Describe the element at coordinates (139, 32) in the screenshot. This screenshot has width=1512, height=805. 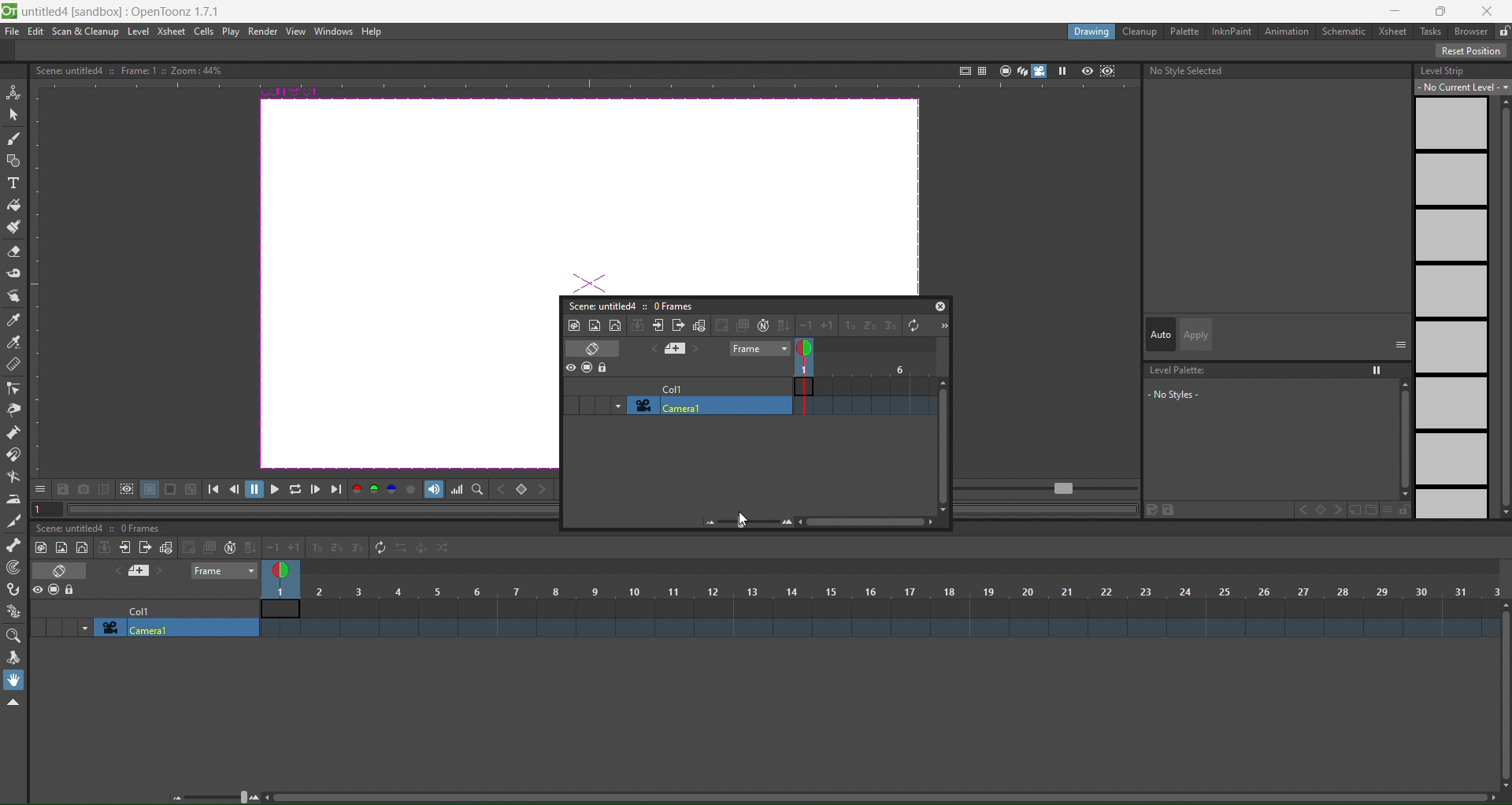
I see `level` at that location.